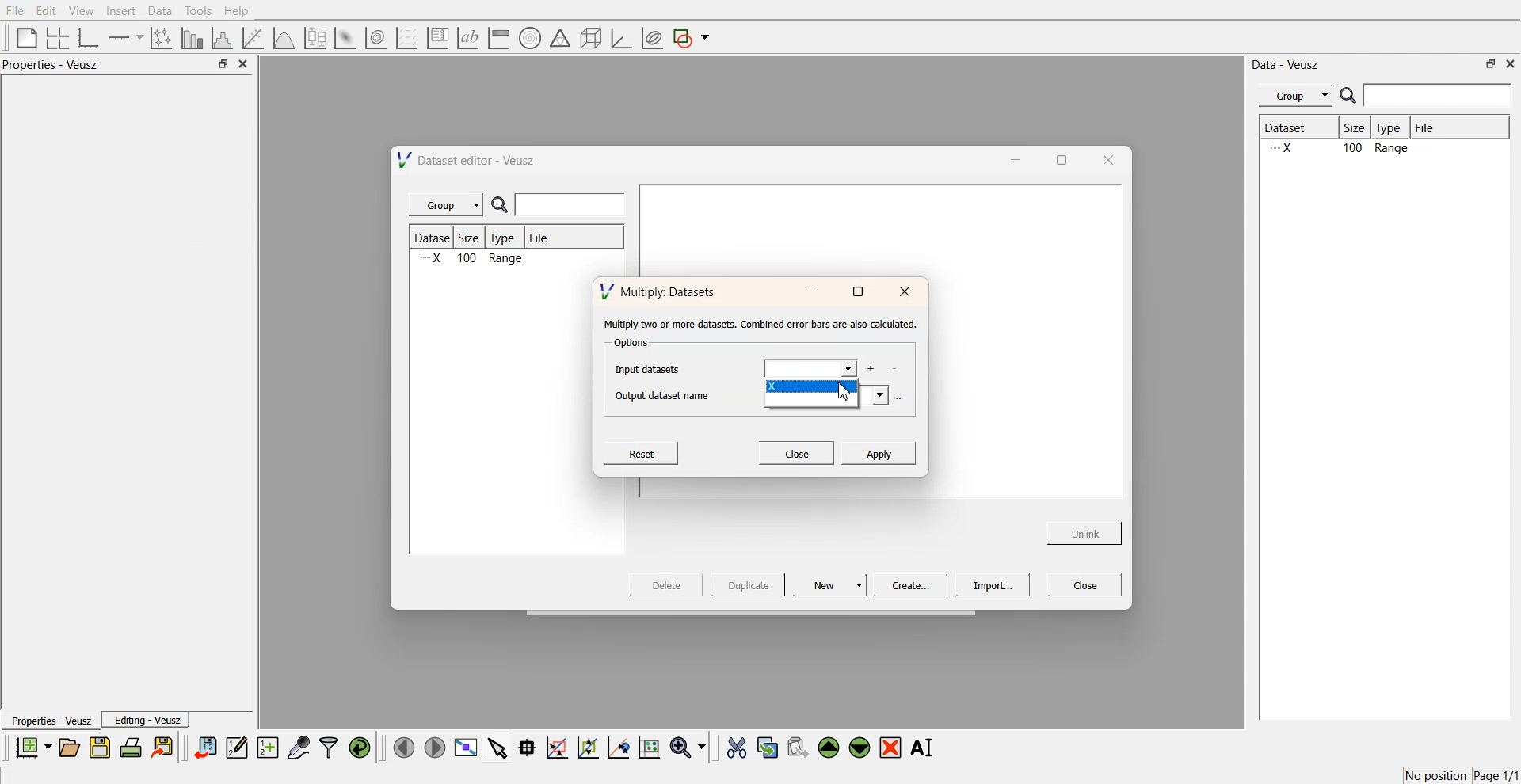 The width and height of the screenshot is (1521, 784). What do you see at coordinates (848, 397) in the screenshot?
I see `cursor` at bounding box center [848, 397].